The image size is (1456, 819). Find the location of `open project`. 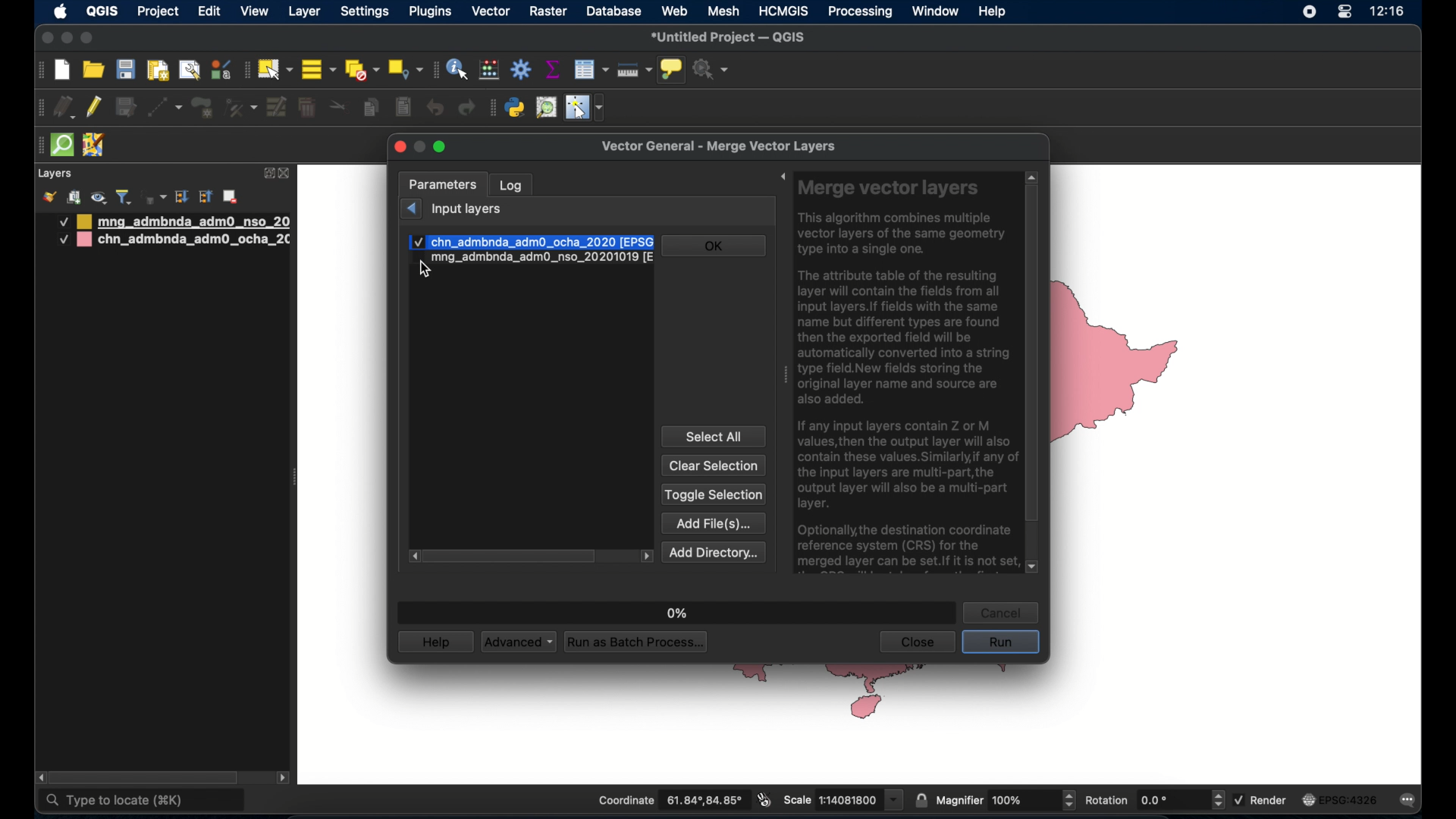

open project is located at coordinates (95, 71).